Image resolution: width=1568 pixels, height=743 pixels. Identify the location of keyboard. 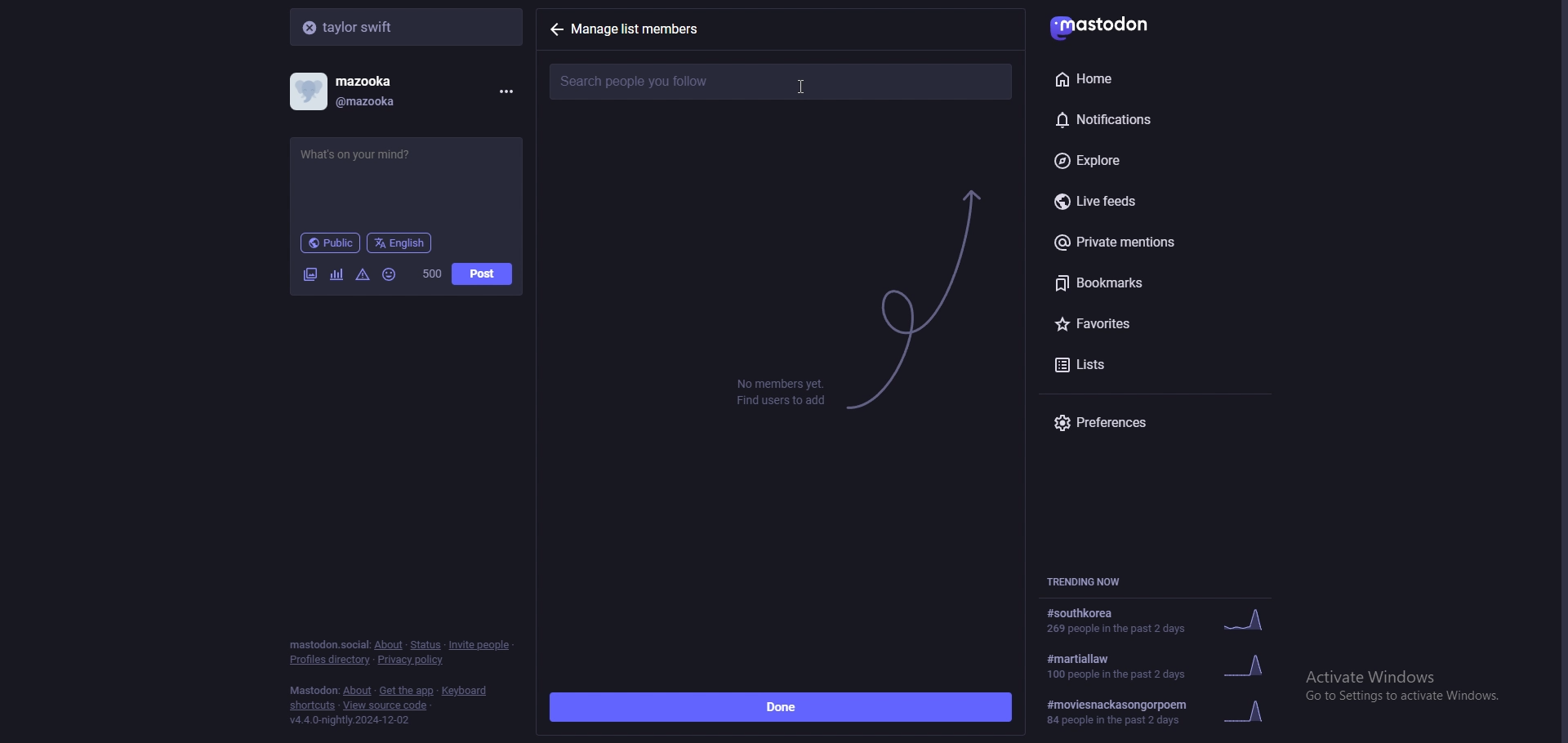
(466, 691).